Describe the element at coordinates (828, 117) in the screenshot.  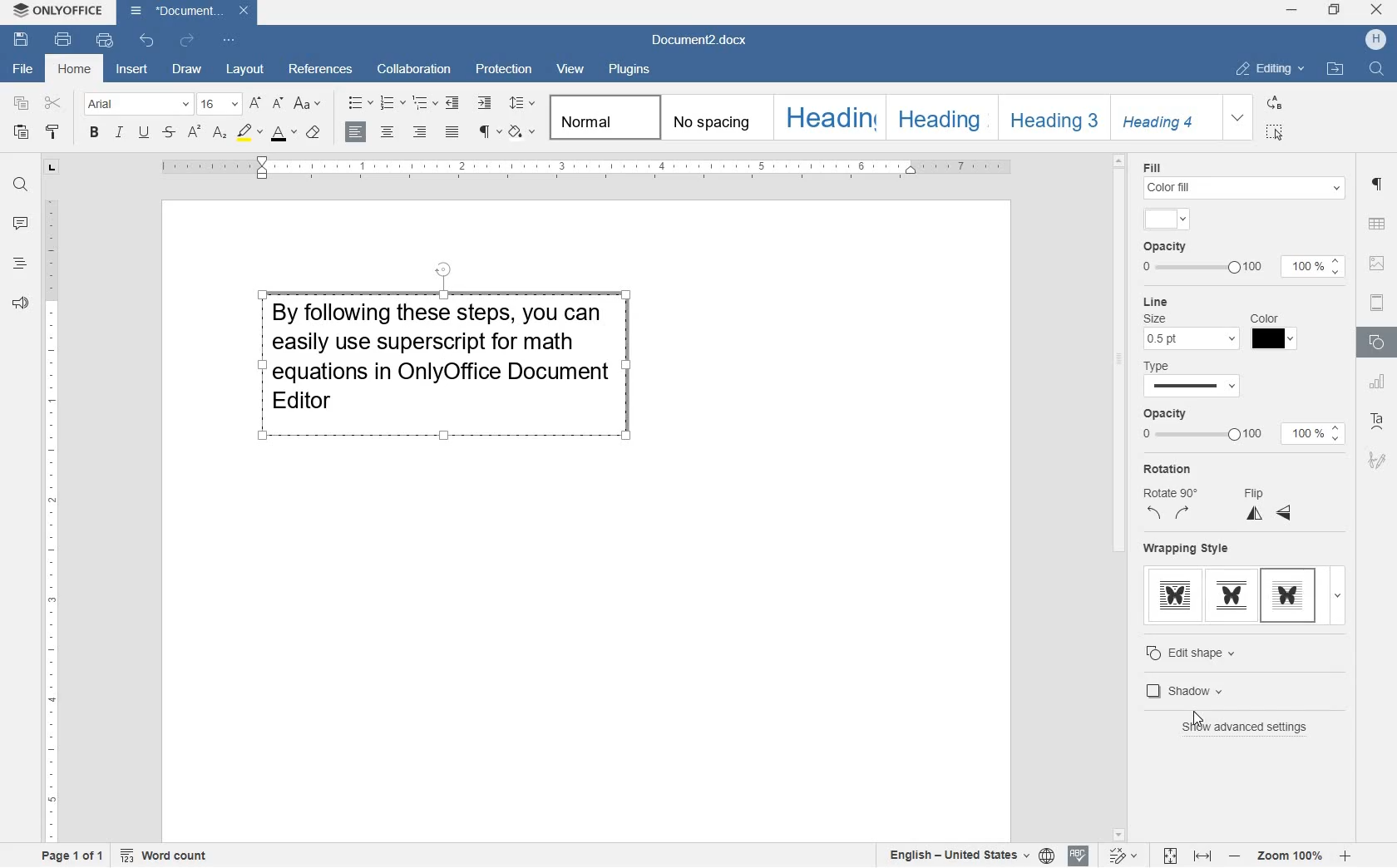
I see `HEADING 1` at that location.